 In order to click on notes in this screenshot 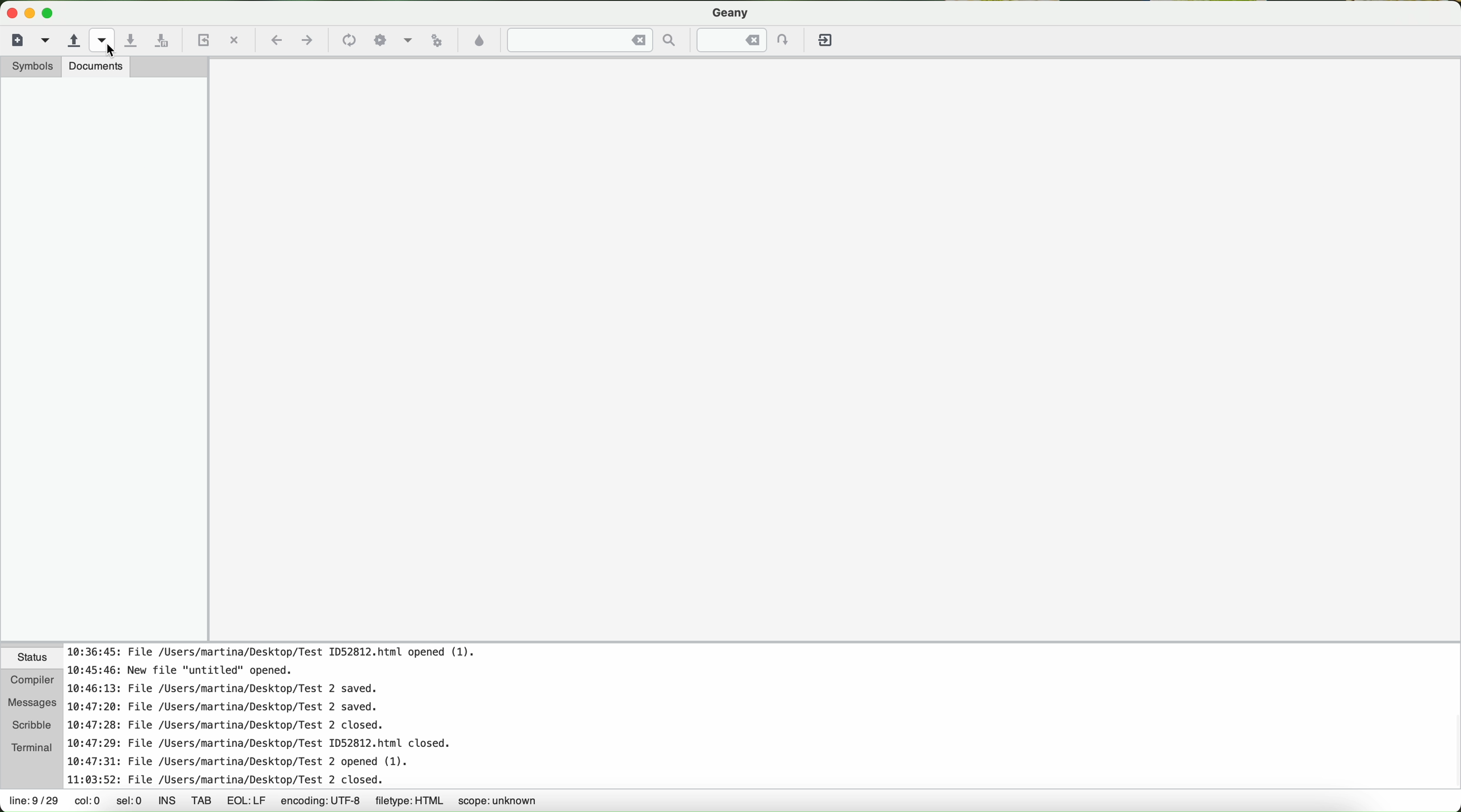, I will do `click(286, 716)`.